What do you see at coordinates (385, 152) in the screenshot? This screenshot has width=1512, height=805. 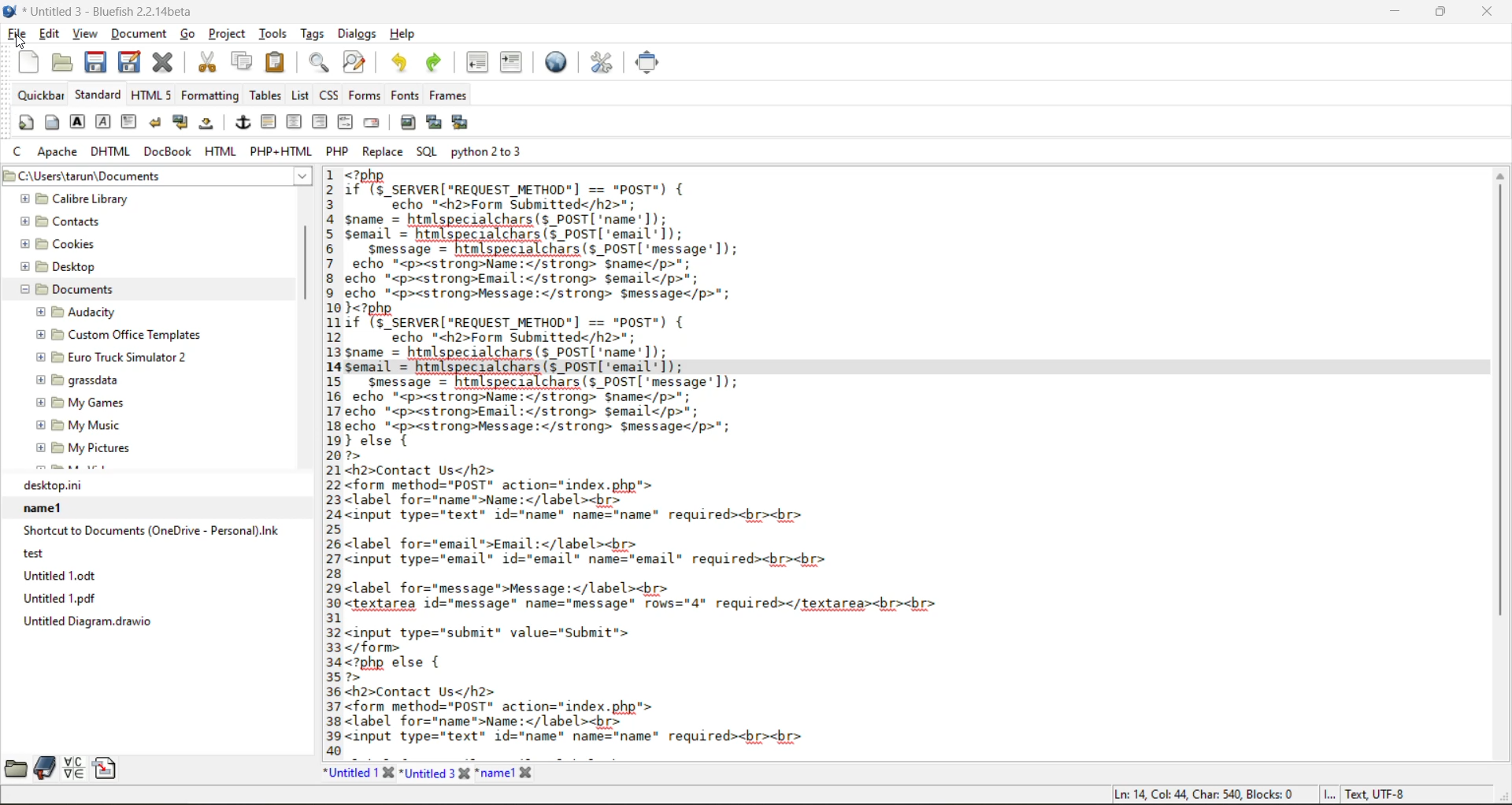 I see `replace` at bounding box center [385, 152].